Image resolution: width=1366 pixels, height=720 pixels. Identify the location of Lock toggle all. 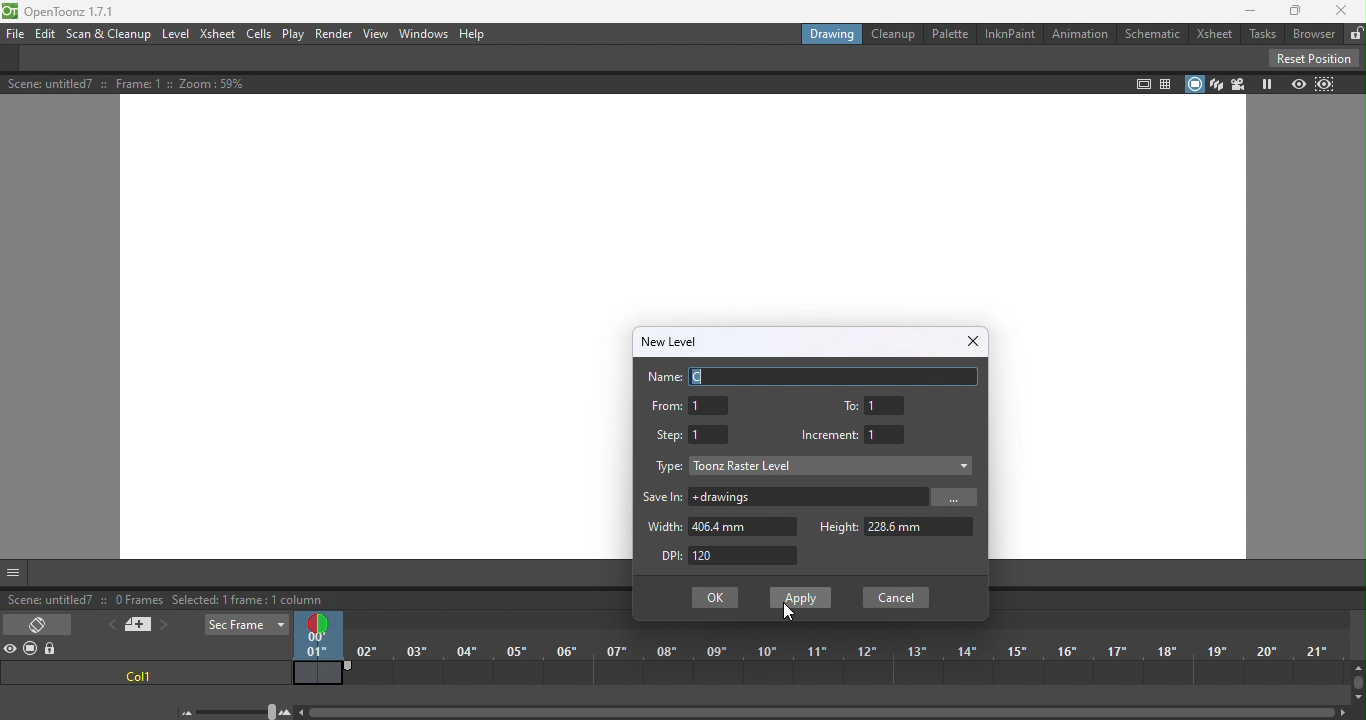
(54, 650).